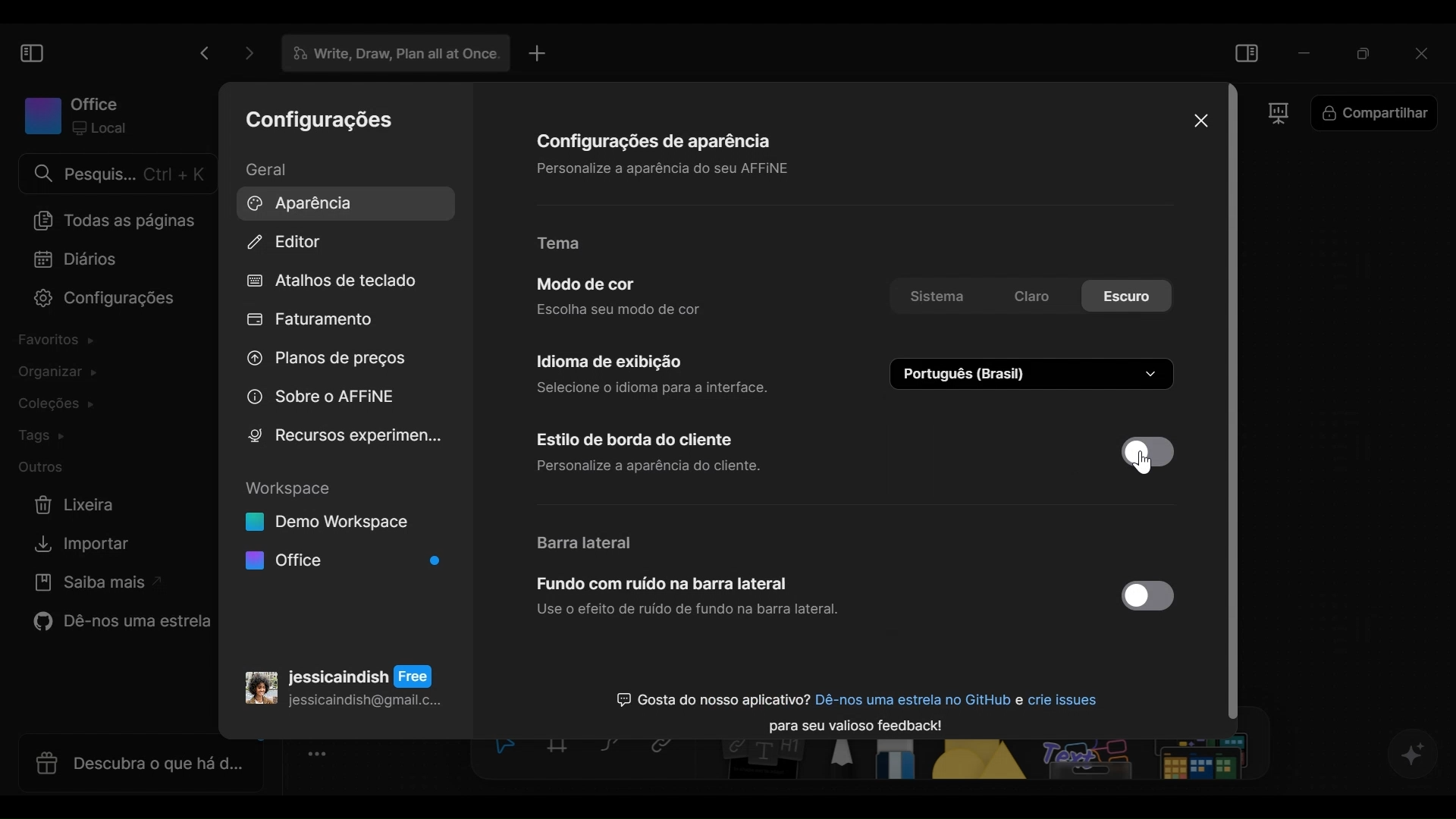 This screenshot has height=819, width=1456. Describe the element at coordinates (501, 748) in the screenshot. I see `Select` at that location.